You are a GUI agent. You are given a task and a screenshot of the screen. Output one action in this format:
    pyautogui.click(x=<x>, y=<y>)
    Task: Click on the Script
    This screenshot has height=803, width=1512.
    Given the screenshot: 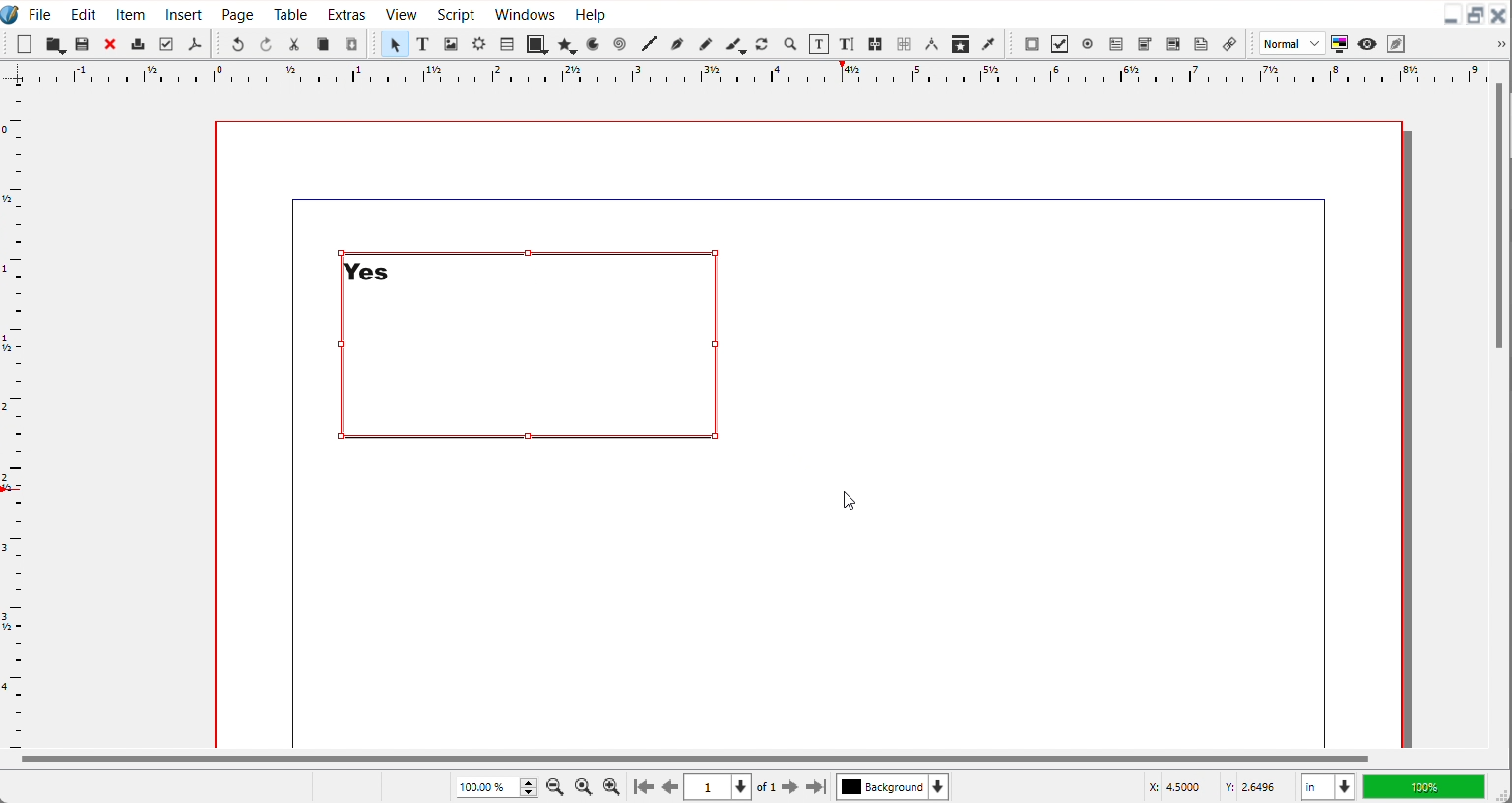 What is the action you would take?
    pyautogui.click(x=458, y=13)
    